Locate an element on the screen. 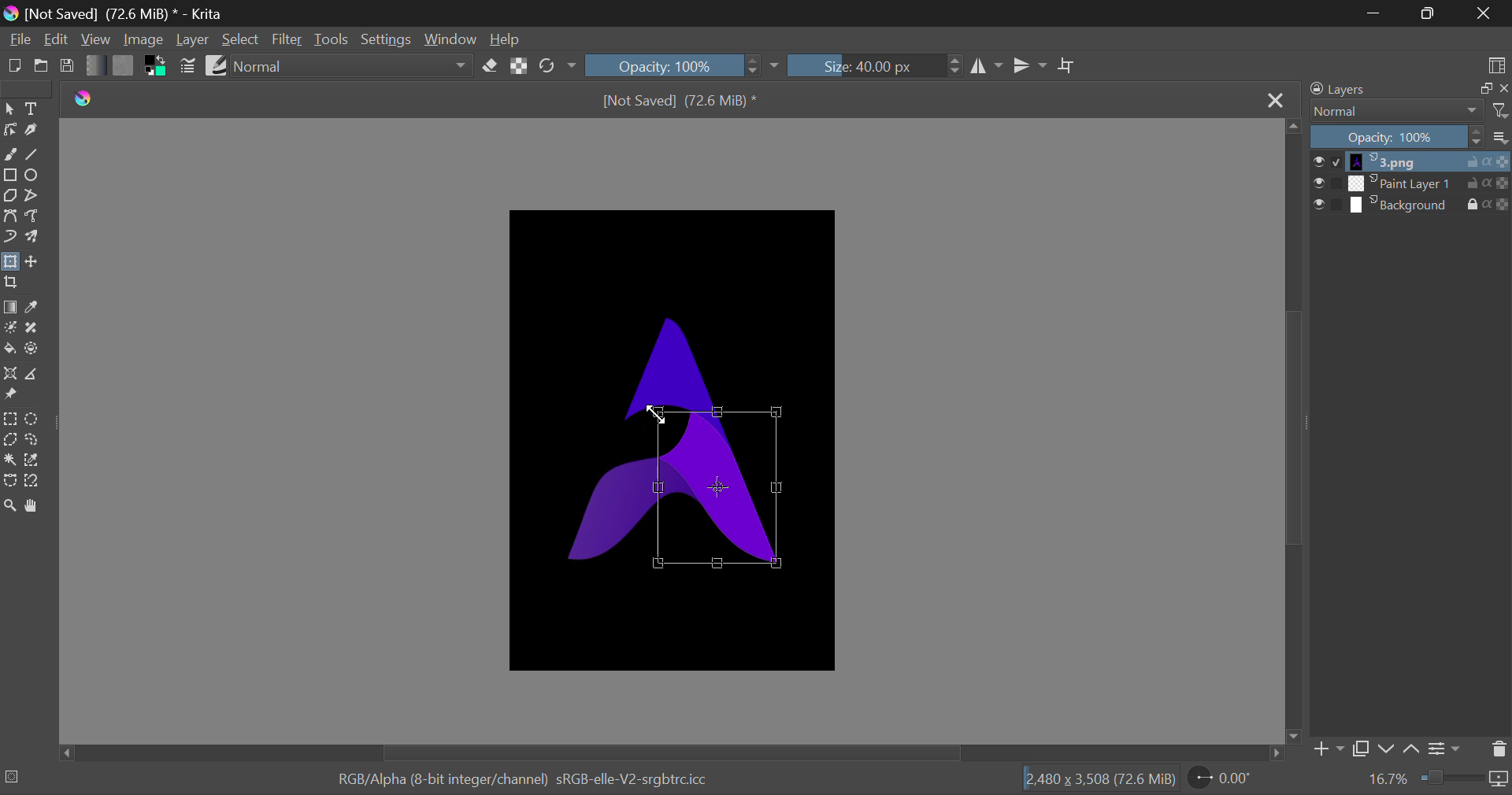  Magnetic Curve Selection is located at coordinates (35, 482).